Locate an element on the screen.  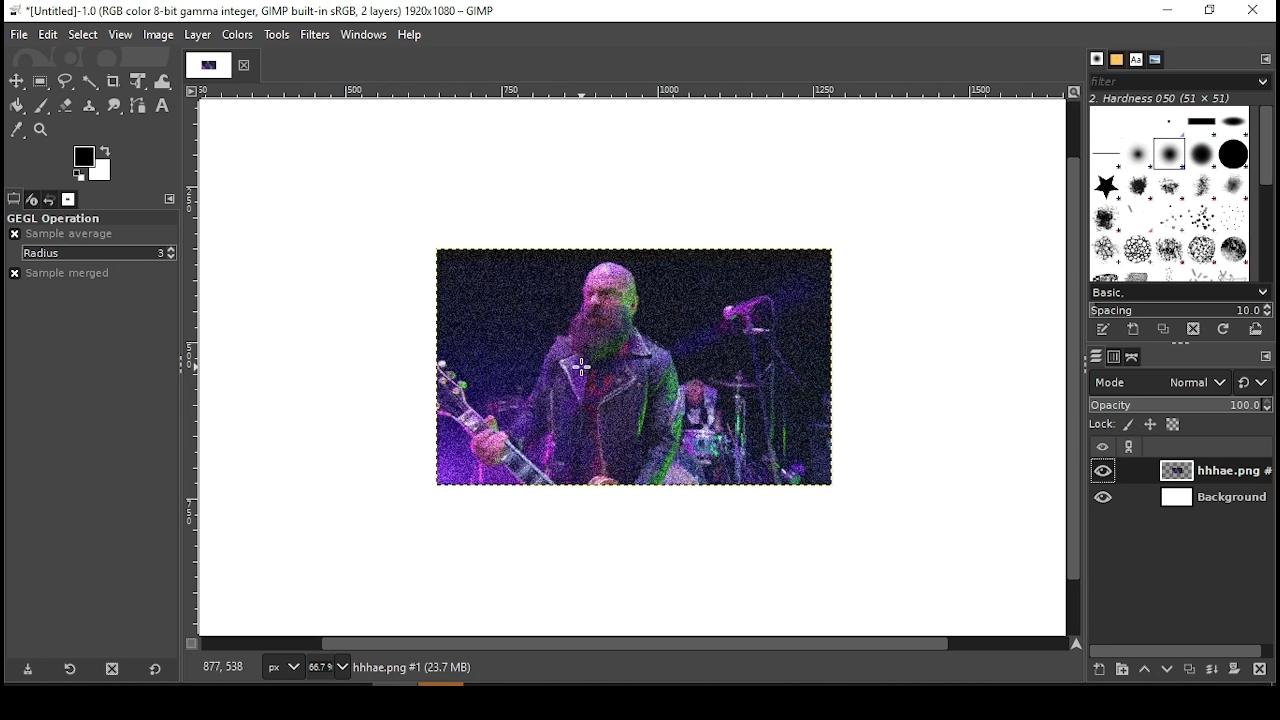
select is located at coordinates (83, 34).